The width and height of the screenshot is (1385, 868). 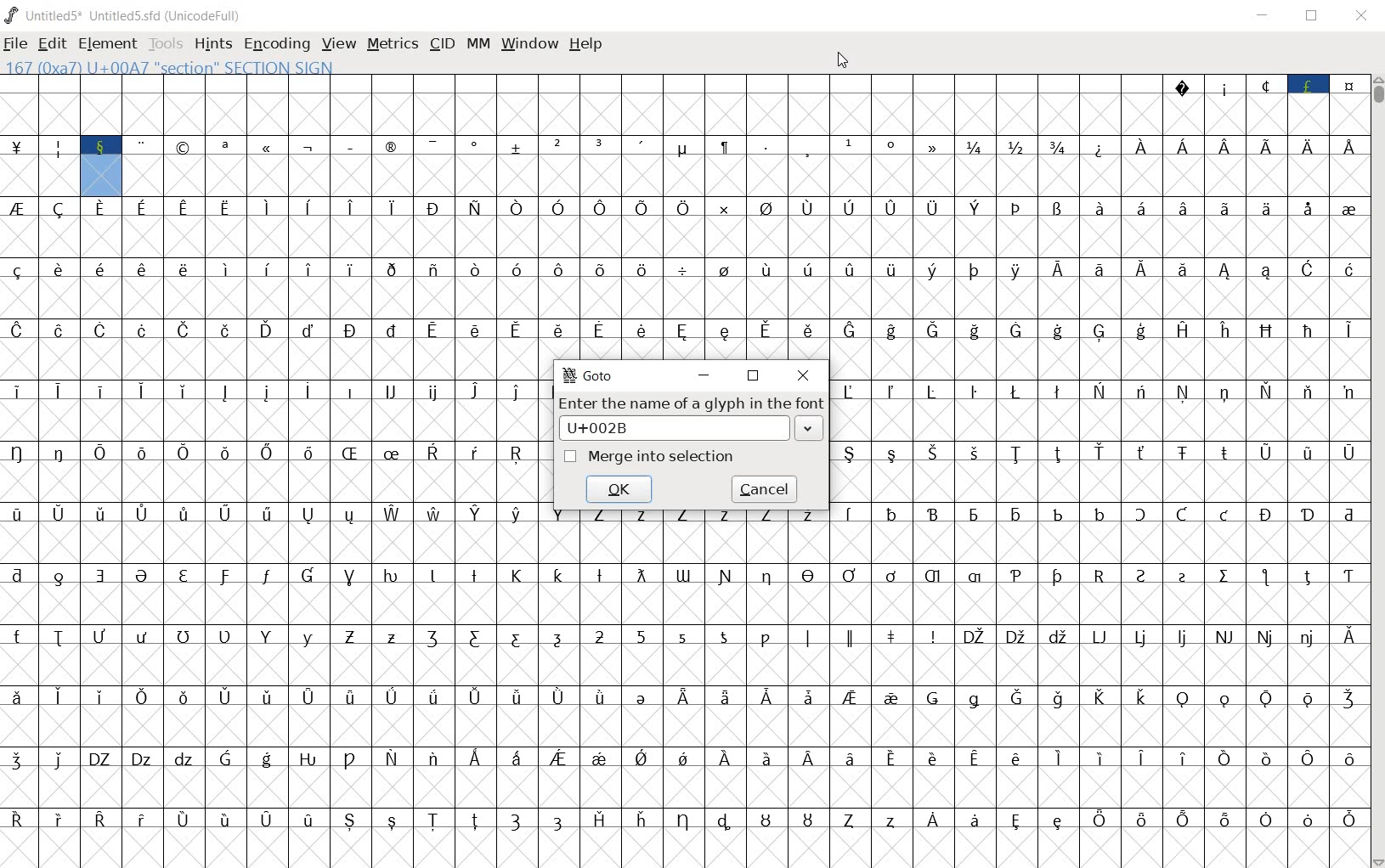 I want to click on Latin extended characters, so click(x=1243, y=167).